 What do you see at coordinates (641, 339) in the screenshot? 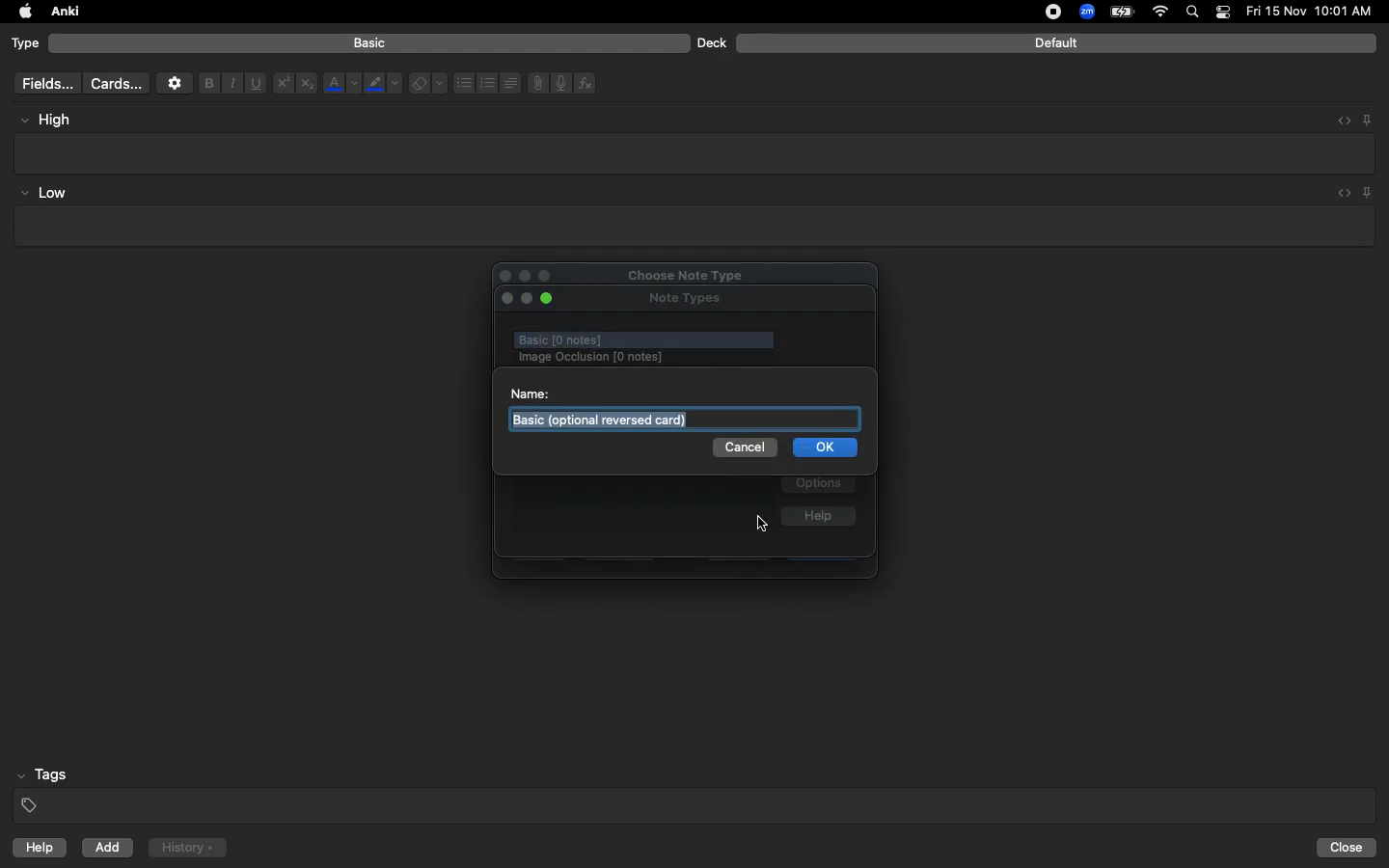
I see `Basic(0 notes)` at bounding box center [641, 339].